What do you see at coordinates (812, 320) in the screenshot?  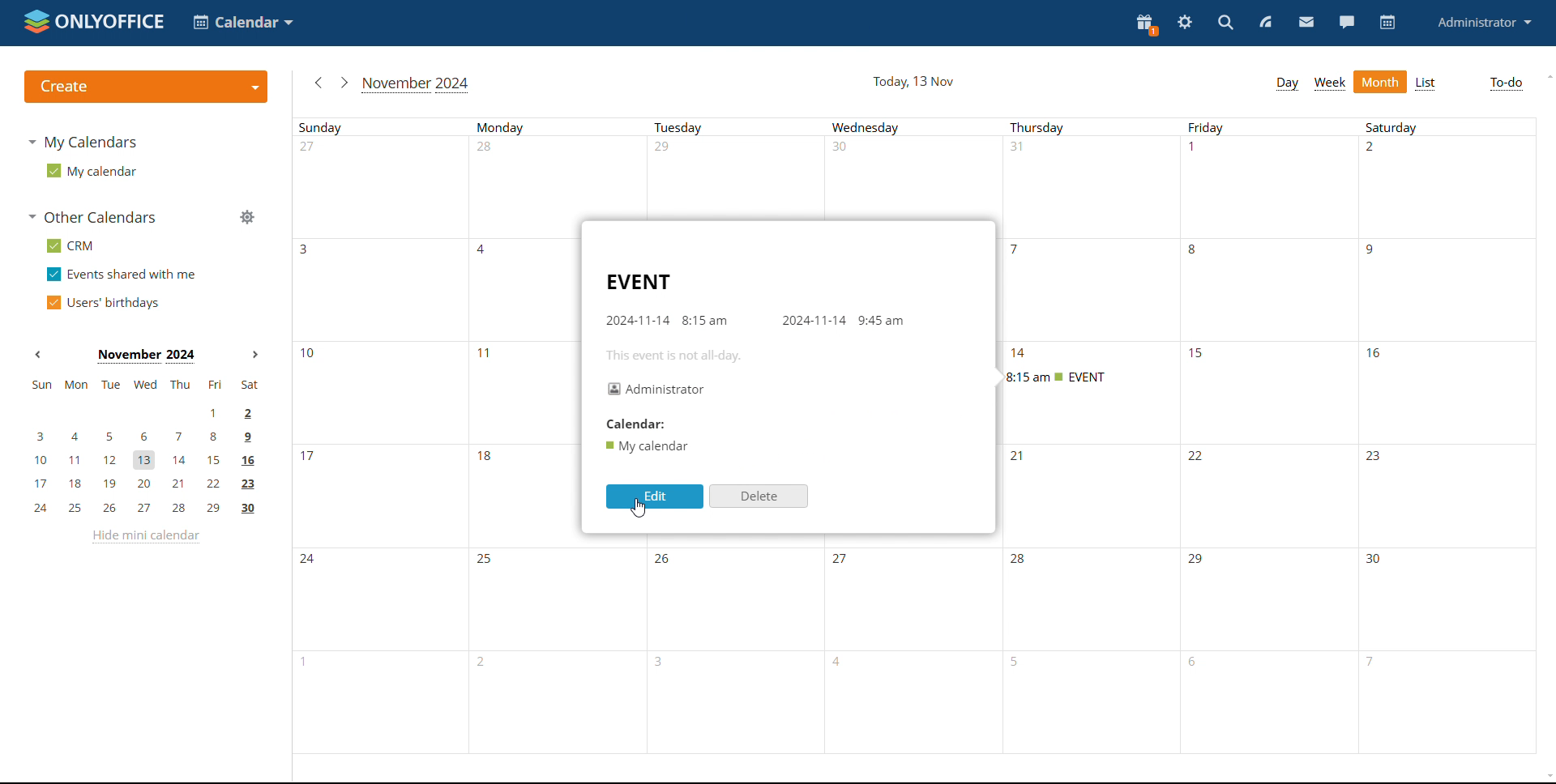 I see `end date` at bounding box center [812, 320].